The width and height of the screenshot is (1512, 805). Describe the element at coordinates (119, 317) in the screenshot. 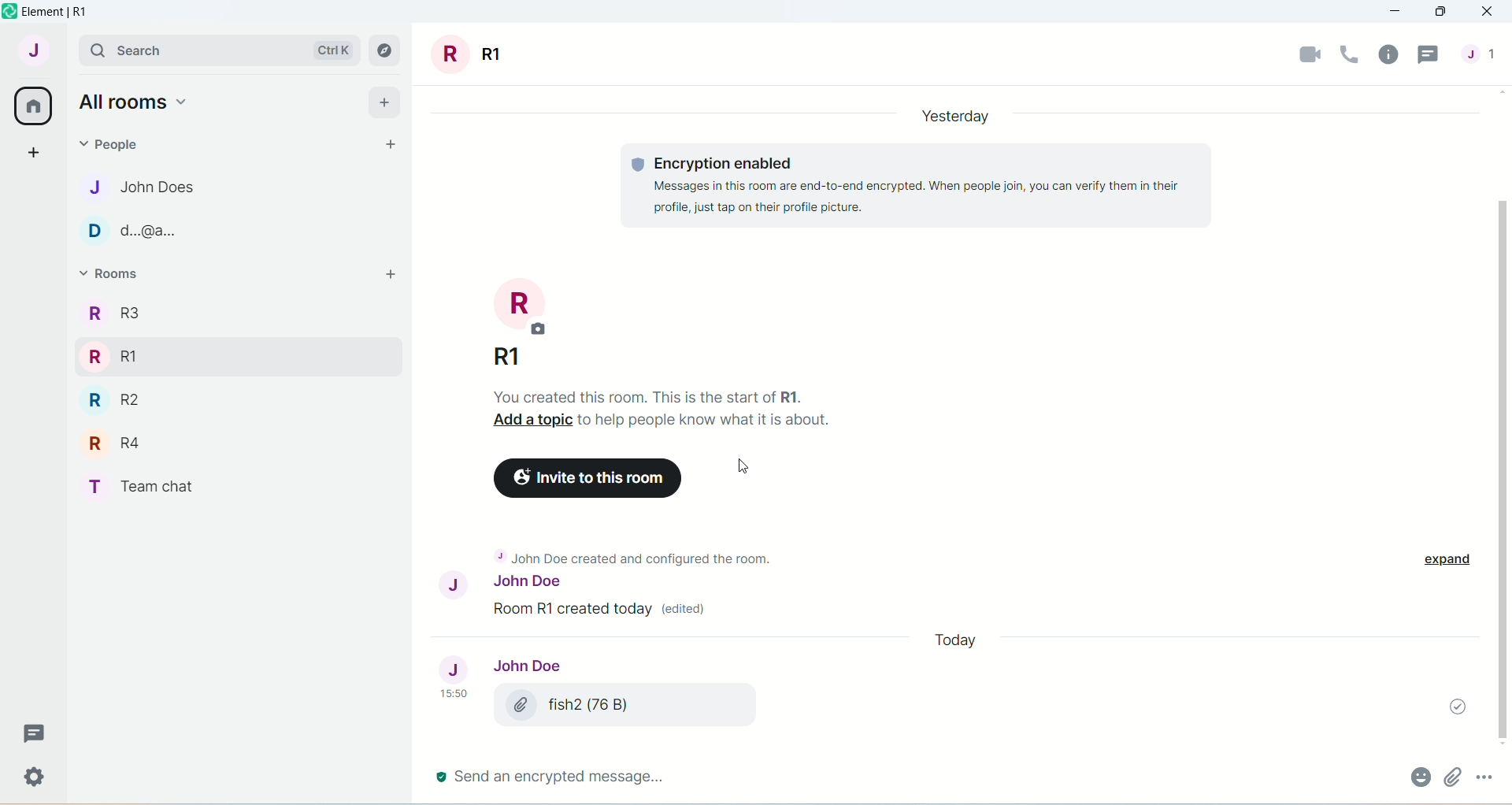

I see `R3` at that location.